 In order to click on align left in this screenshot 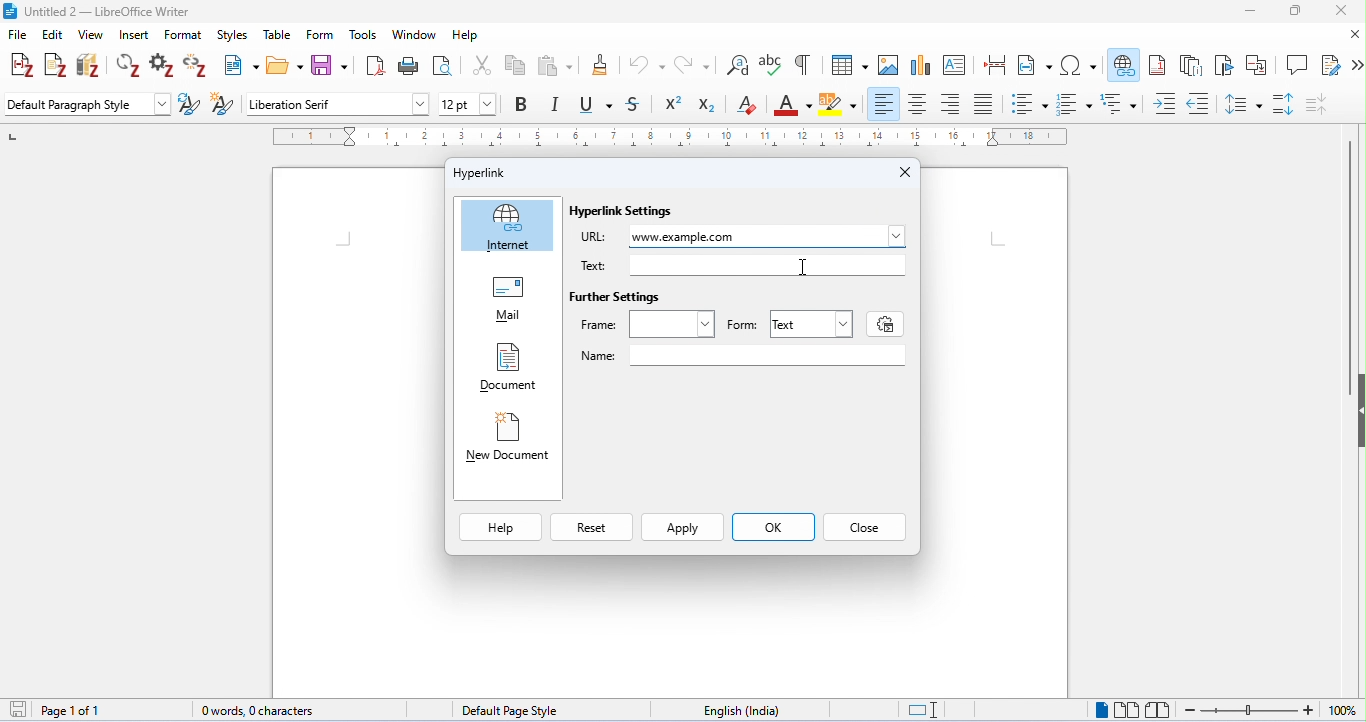, I will do `click(884, 104)`.